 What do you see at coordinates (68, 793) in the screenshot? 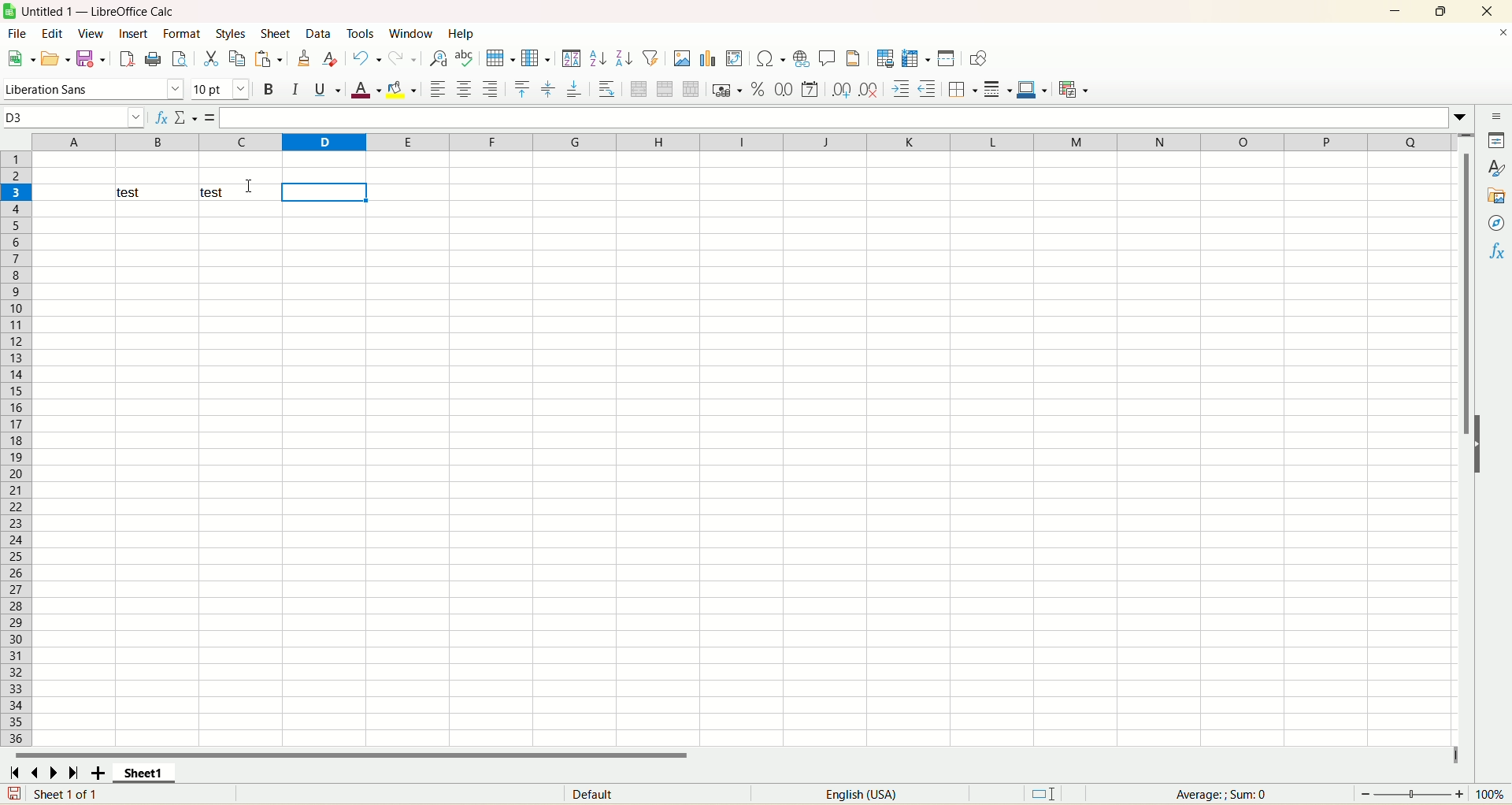
I see `sheet 1 of 1` at bounding box center [68, 793].